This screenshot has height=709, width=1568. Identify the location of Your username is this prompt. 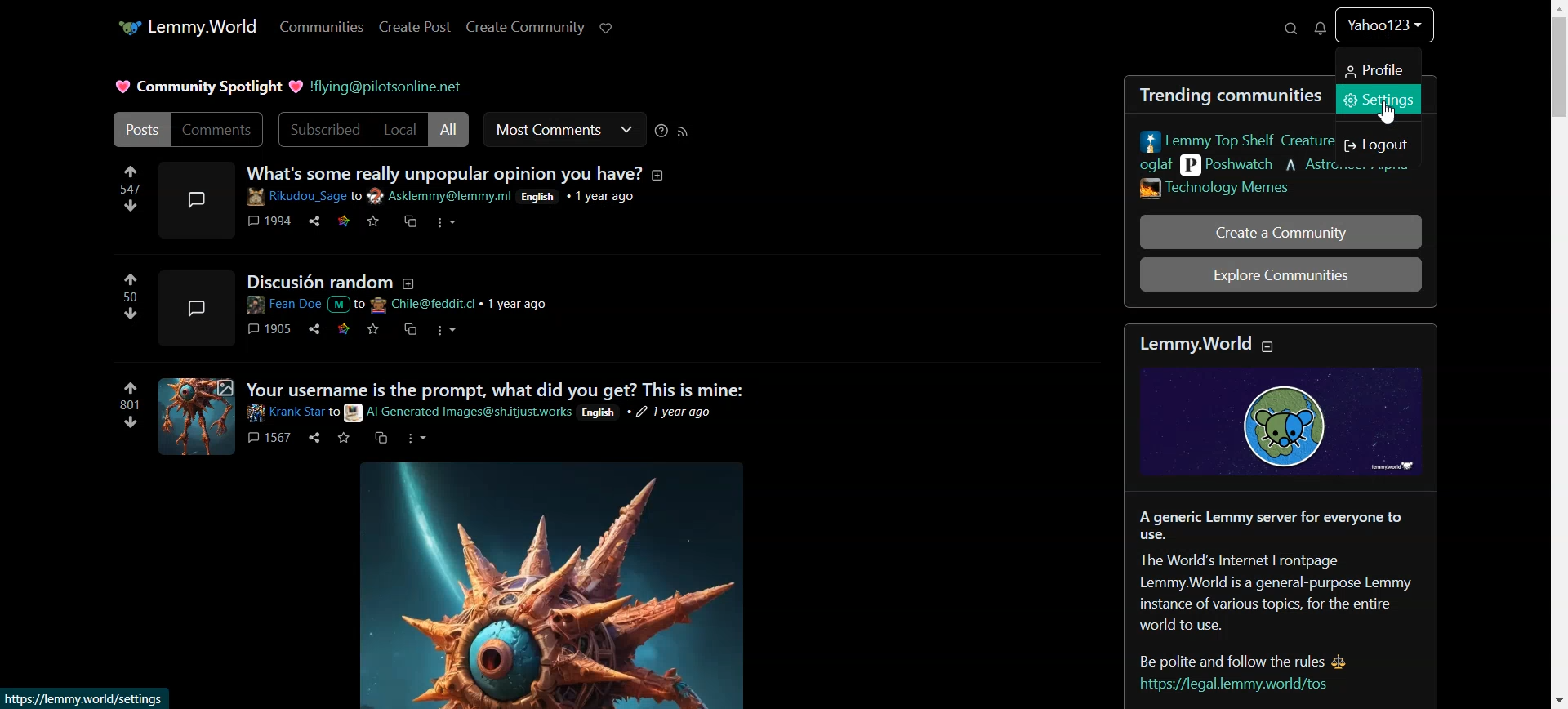
(446, 418).